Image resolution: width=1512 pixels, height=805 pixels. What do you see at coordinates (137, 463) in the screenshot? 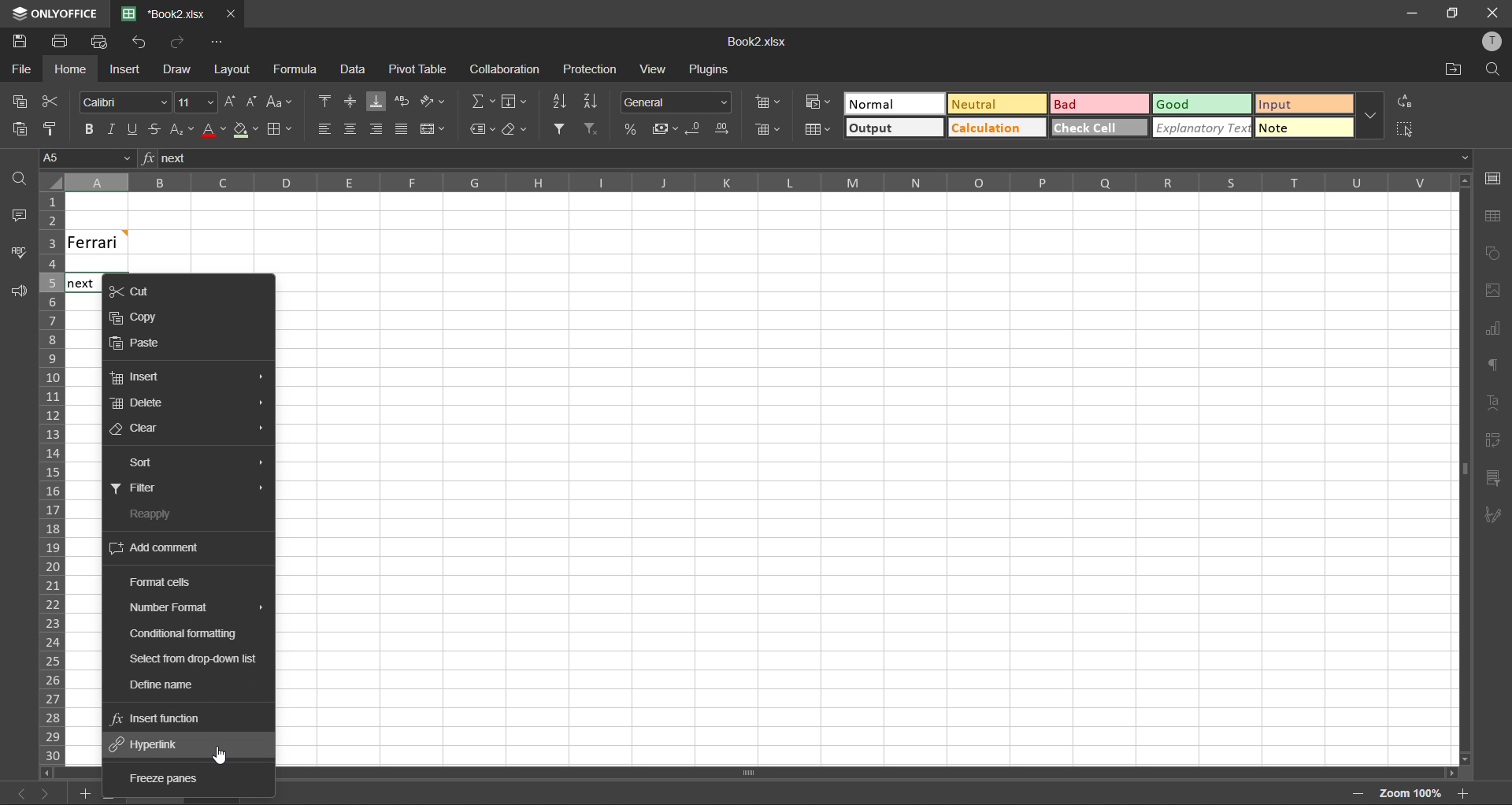
I see `sort` at bounding box center [137, 463].